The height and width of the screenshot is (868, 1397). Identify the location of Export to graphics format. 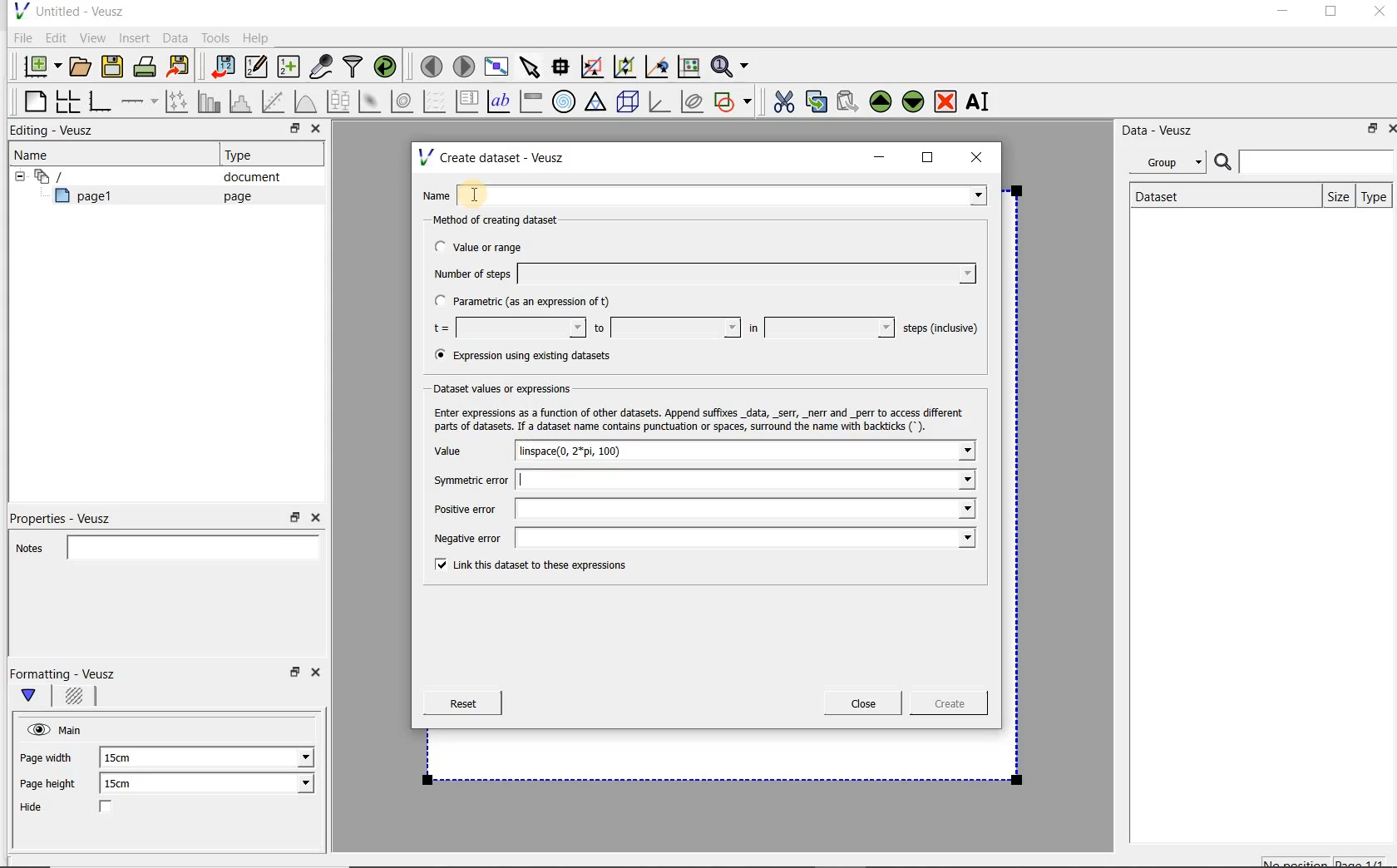
(179, 68).